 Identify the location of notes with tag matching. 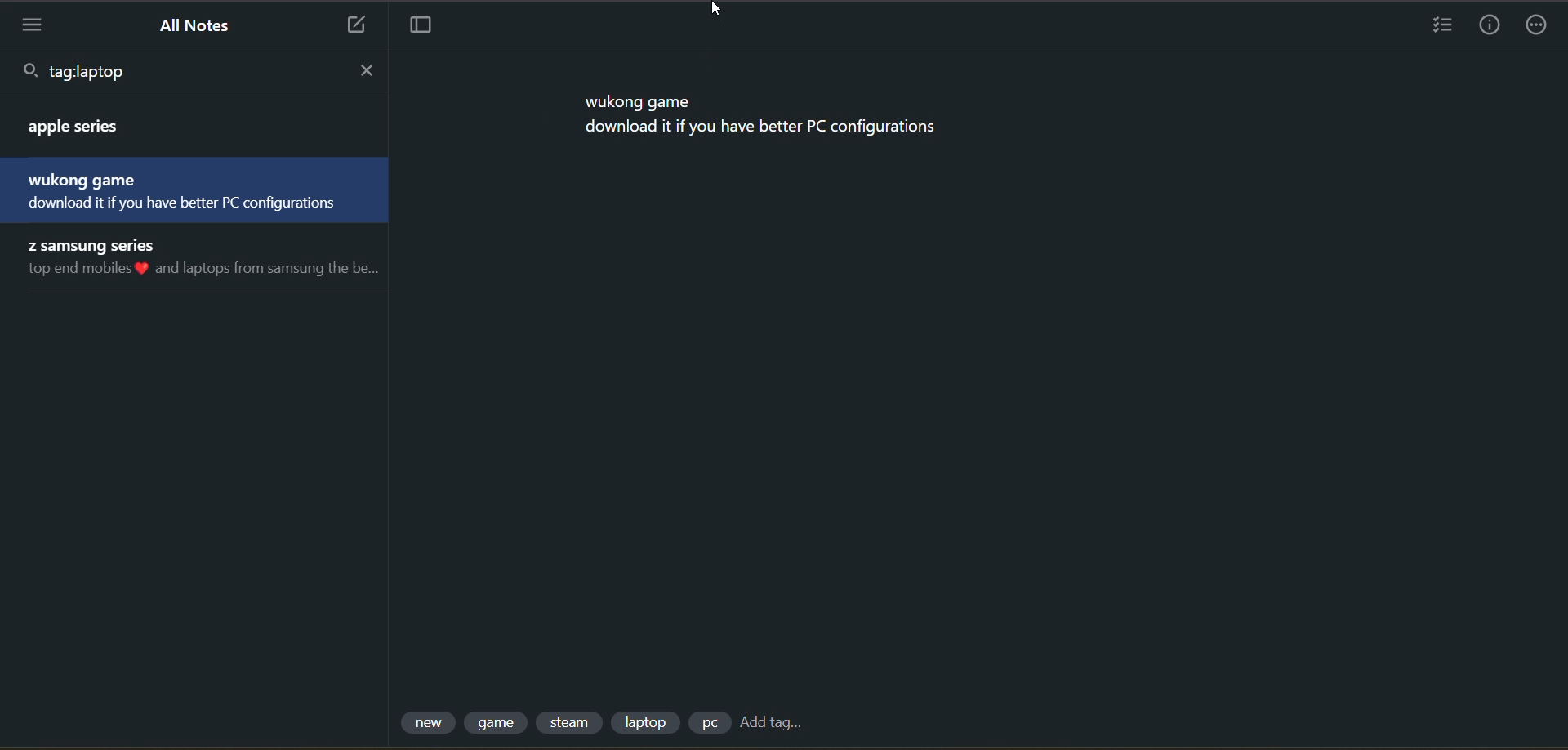
(195, 257).